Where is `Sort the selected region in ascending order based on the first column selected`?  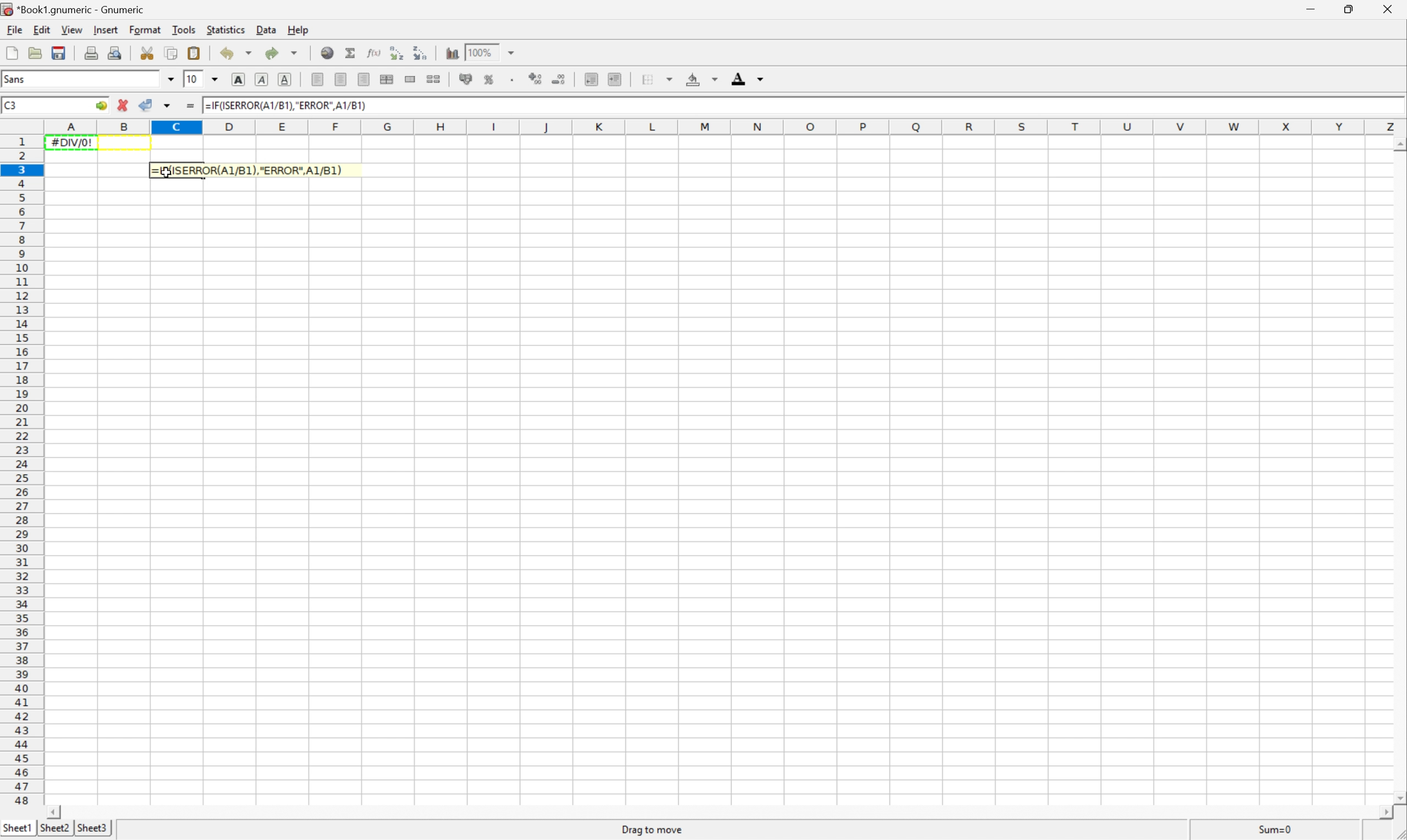
Sort the selected region in ascending order based on the first column selected is located at coordinates (395, 53).